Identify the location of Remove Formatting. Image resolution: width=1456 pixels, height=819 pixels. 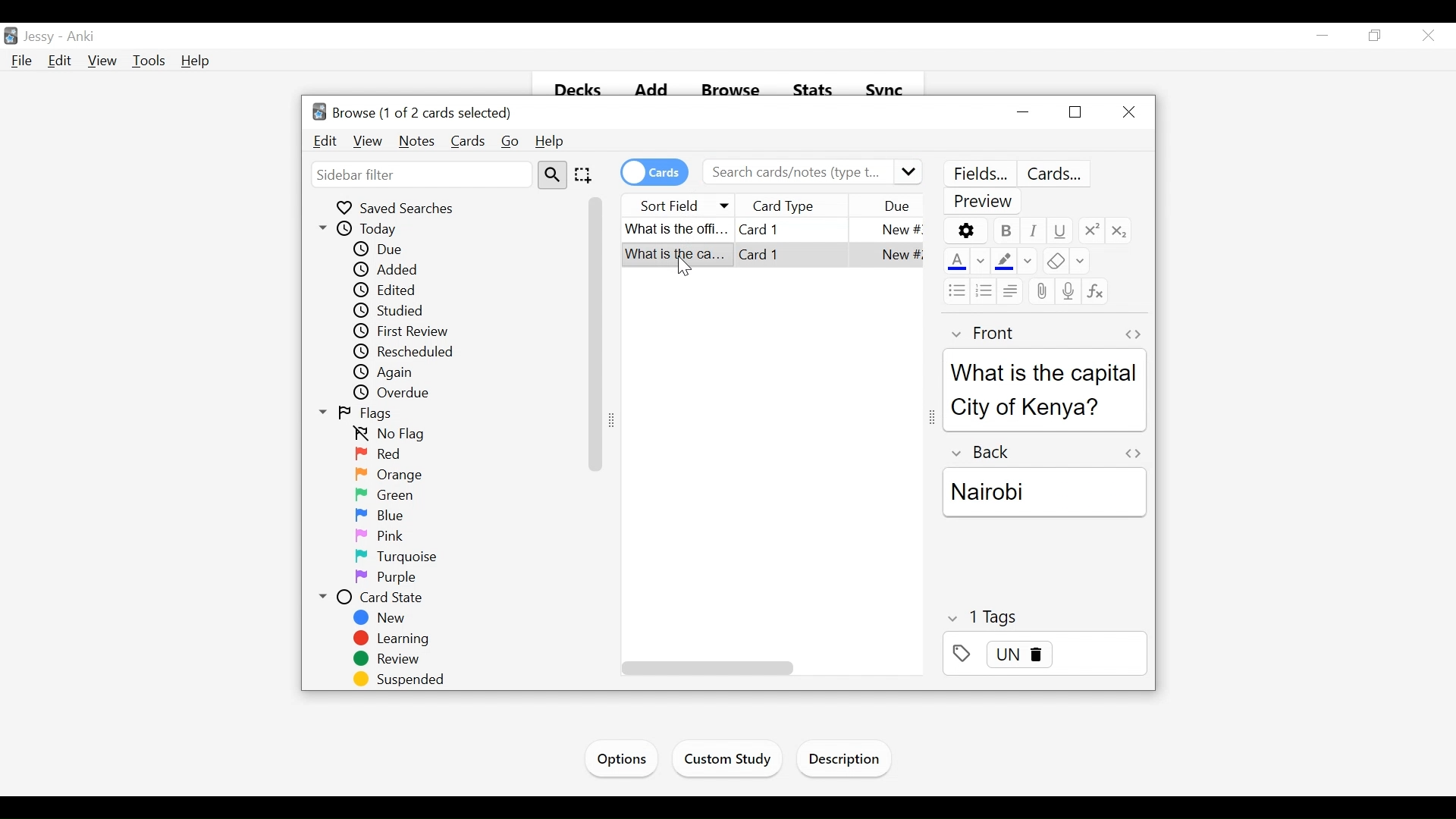
(1053, 262).